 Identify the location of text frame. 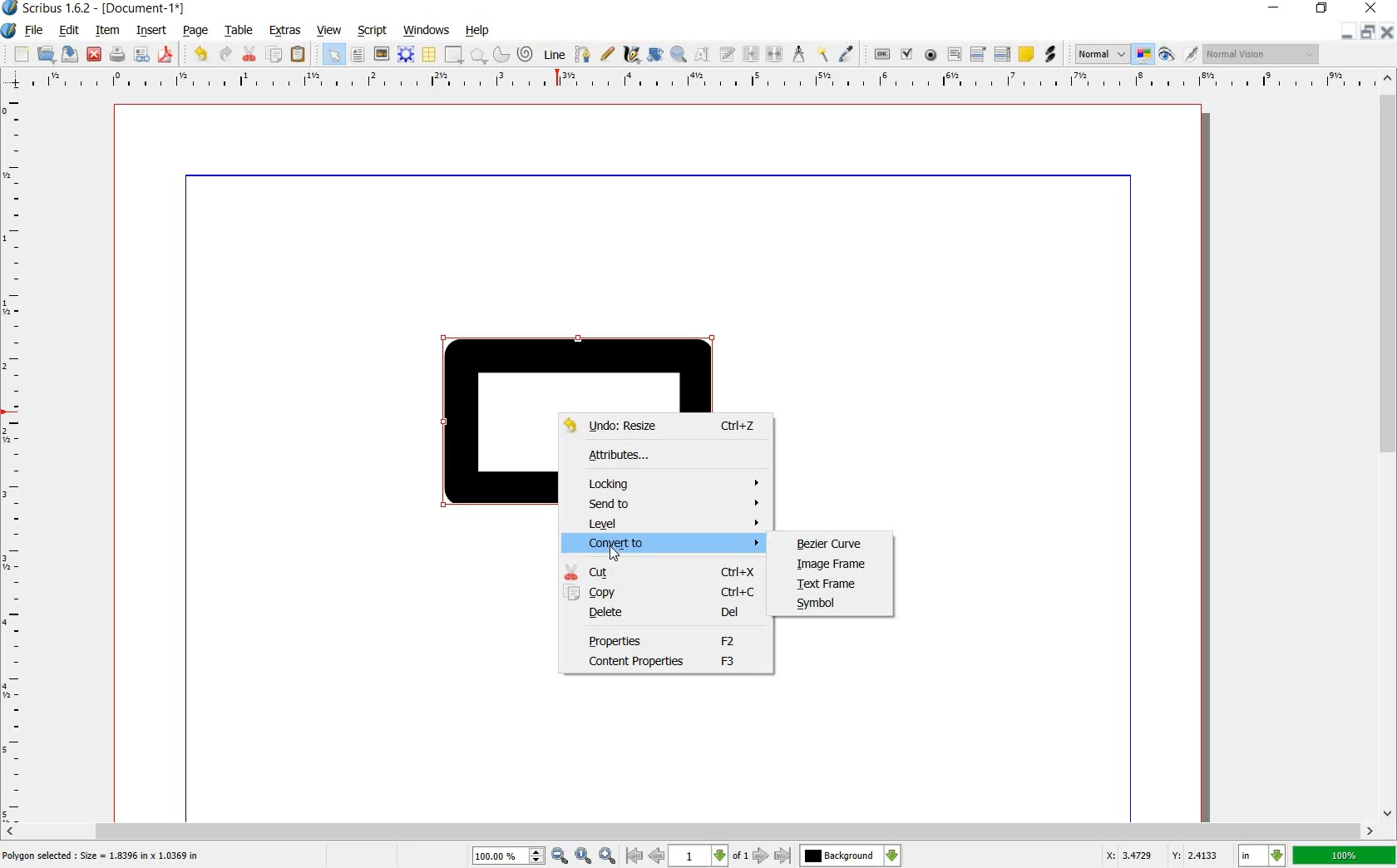
(357, 55).